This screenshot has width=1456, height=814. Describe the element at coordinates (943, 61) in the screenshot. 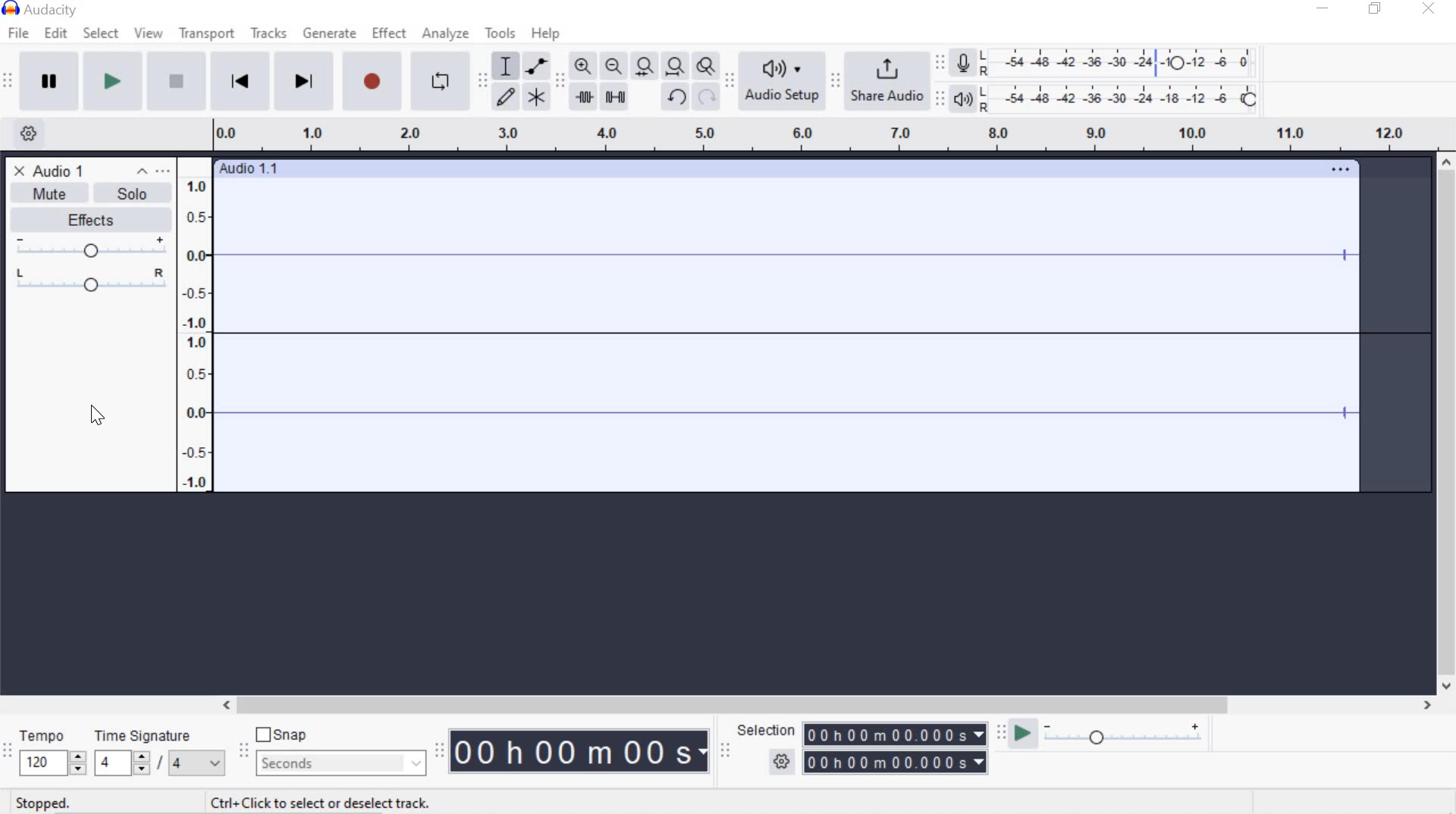

I see `recording meter toolbar` at that location.